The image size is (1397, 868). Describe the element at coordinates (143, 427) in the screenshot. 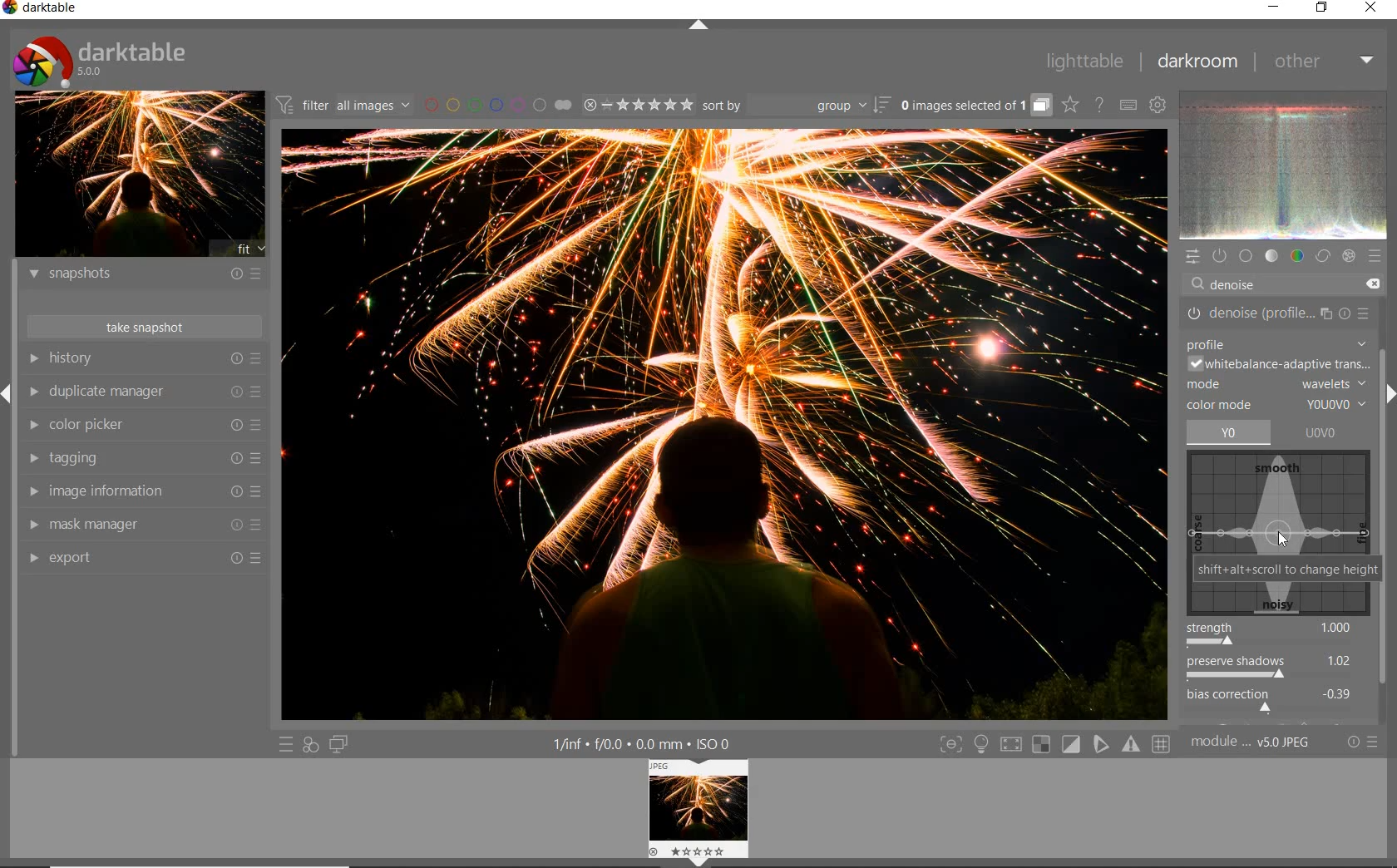

I see `color picker` at that location.